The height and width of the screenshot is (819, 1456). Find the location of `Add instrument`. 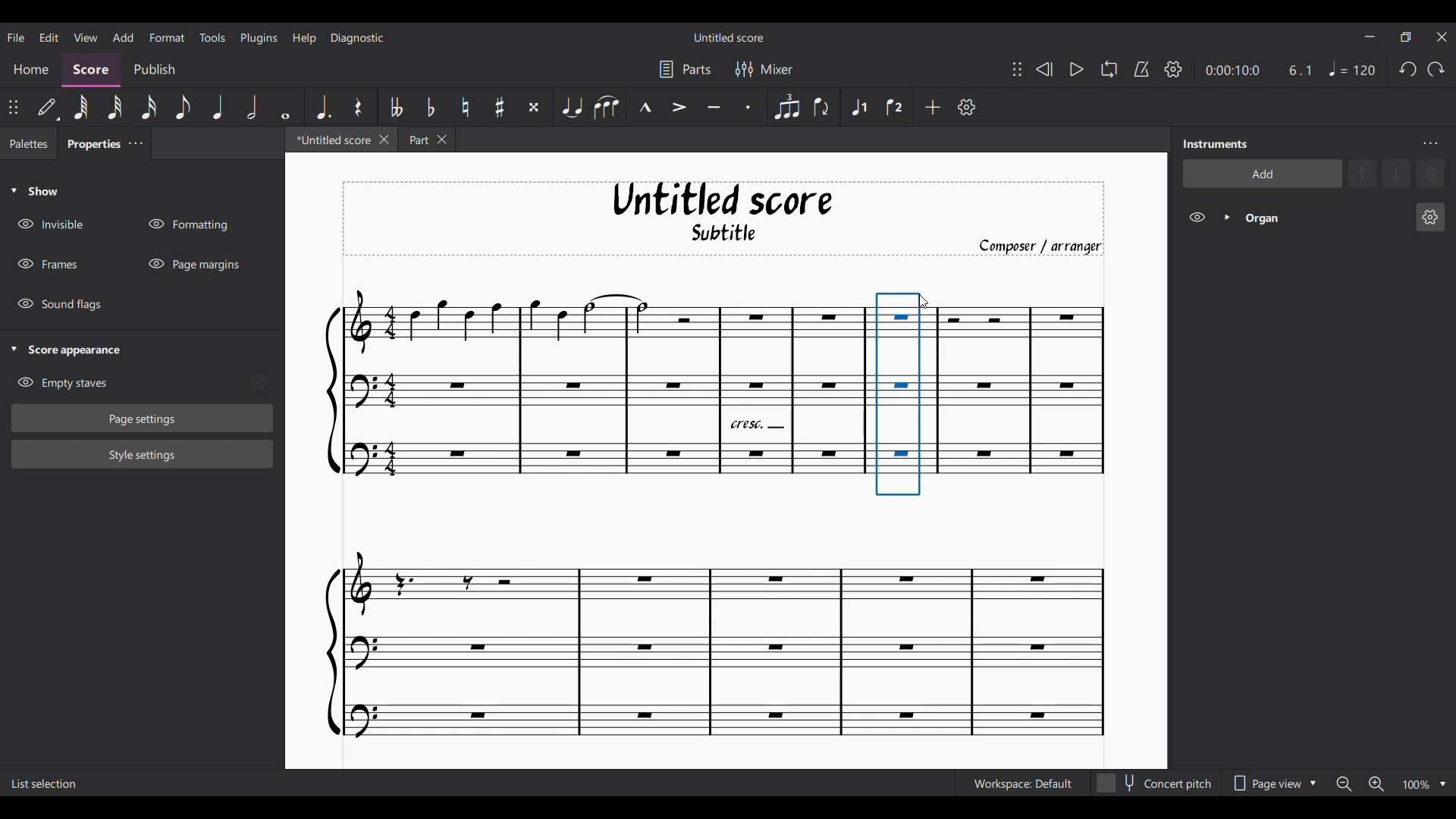

Add instrument is located at coordinates (1262, 173).